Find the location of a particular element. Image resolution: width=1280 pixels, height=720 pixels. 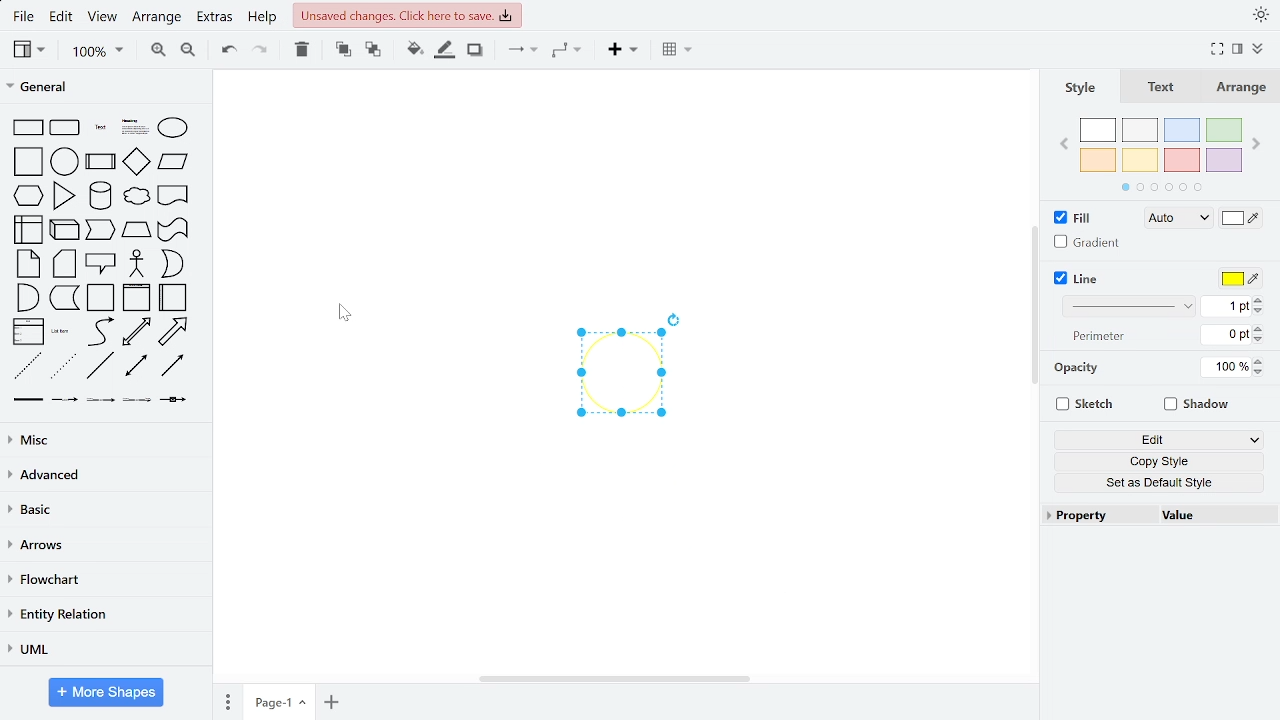

blue is located at coordinates (1182, 130).